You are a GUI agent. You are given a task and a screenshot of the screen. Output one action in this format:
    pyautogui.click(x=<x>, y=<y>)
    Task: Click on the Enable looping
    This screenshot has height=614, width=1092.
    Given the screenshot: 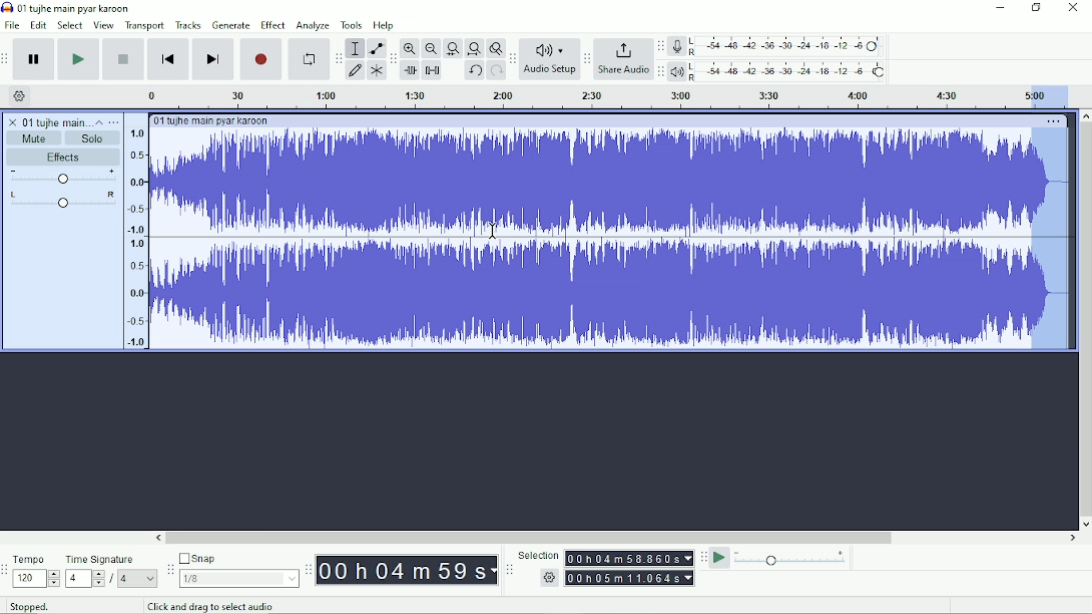 What is the action you would take?
    pyautogui.click(x=309, y=60)
    